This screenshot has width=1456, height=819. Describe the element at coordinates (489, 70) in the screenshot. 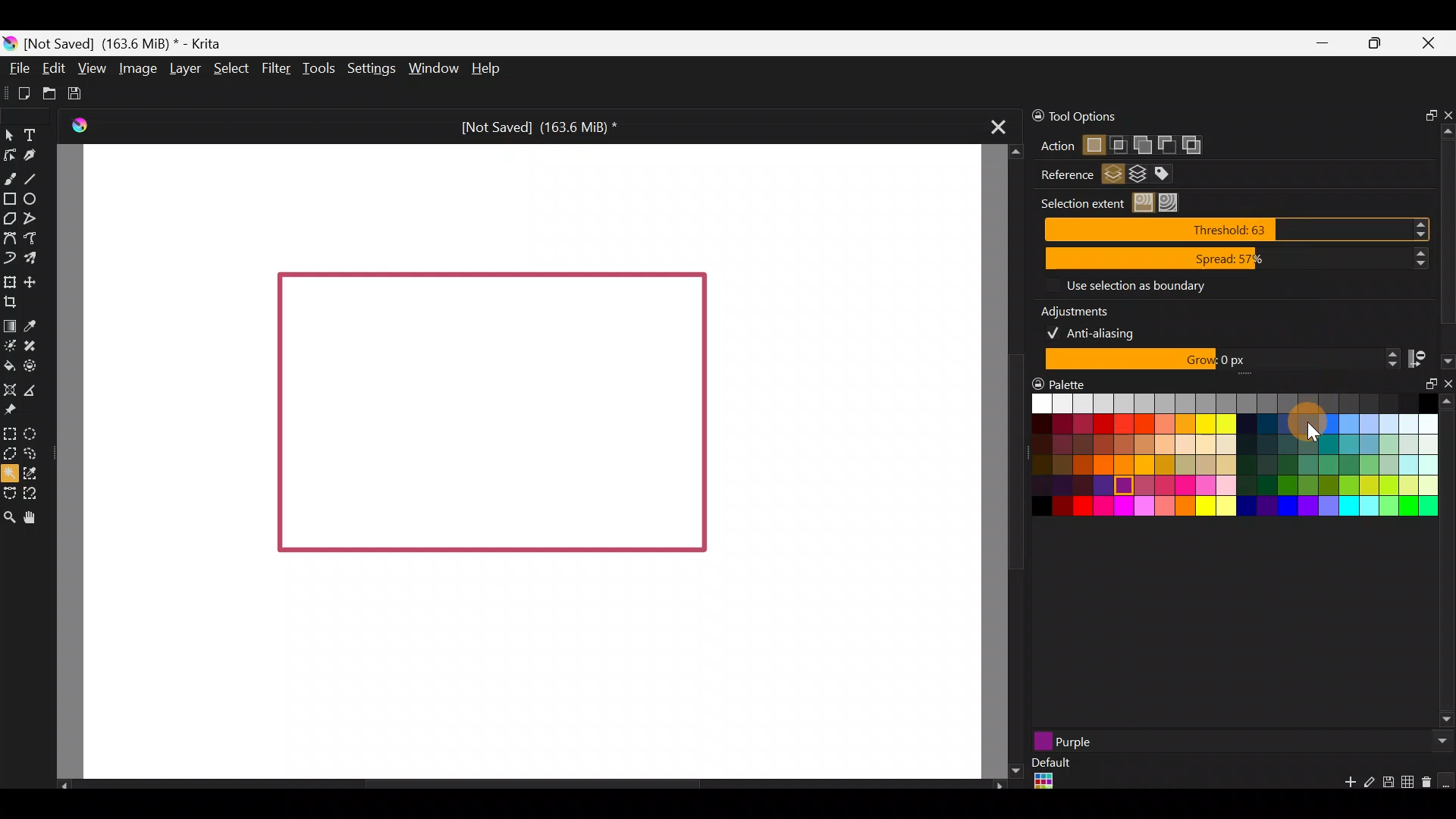

I see `Help` at that location.